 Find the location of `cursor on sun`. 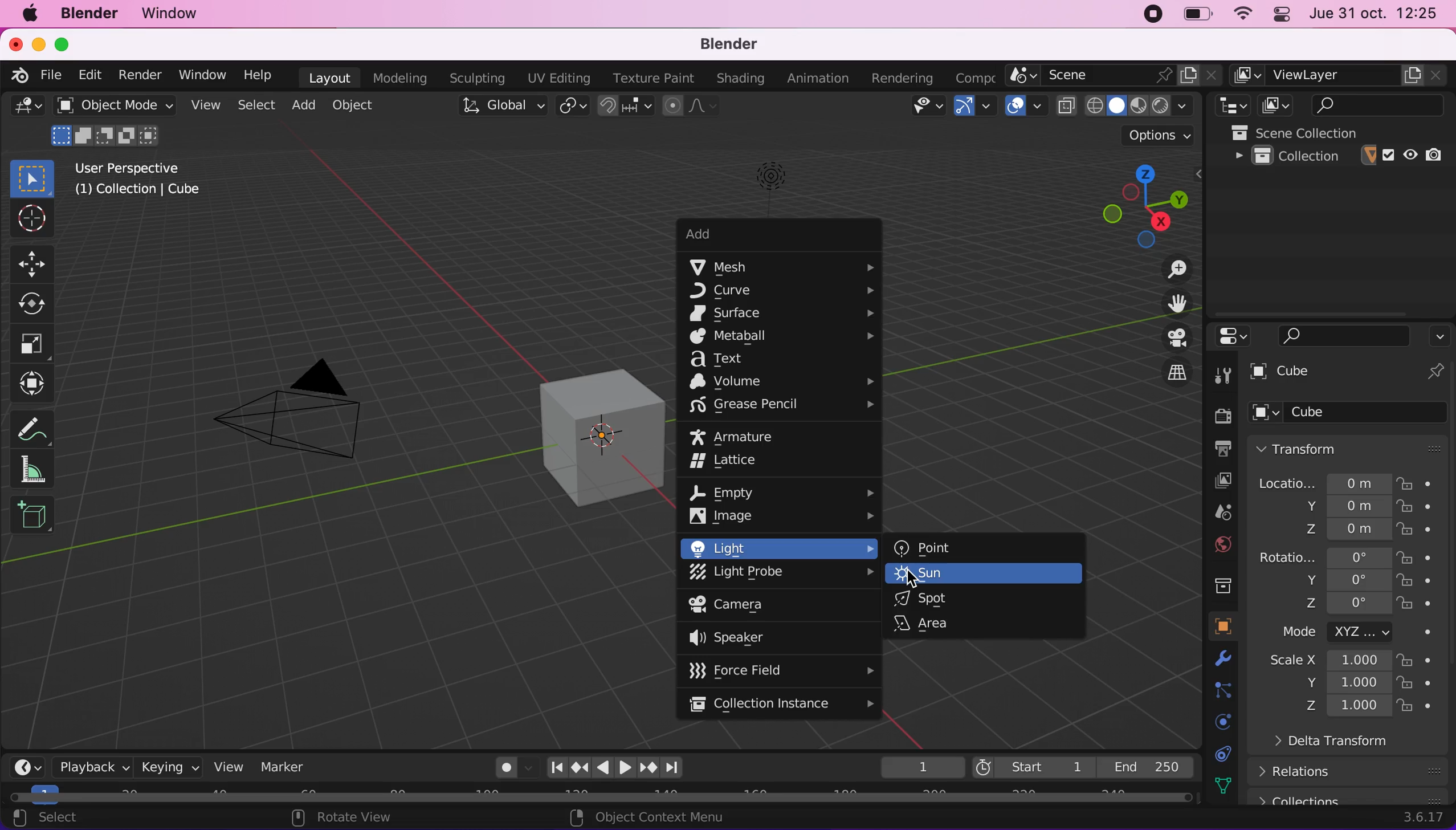

cursor on sun is located at coordinates (916, 579).